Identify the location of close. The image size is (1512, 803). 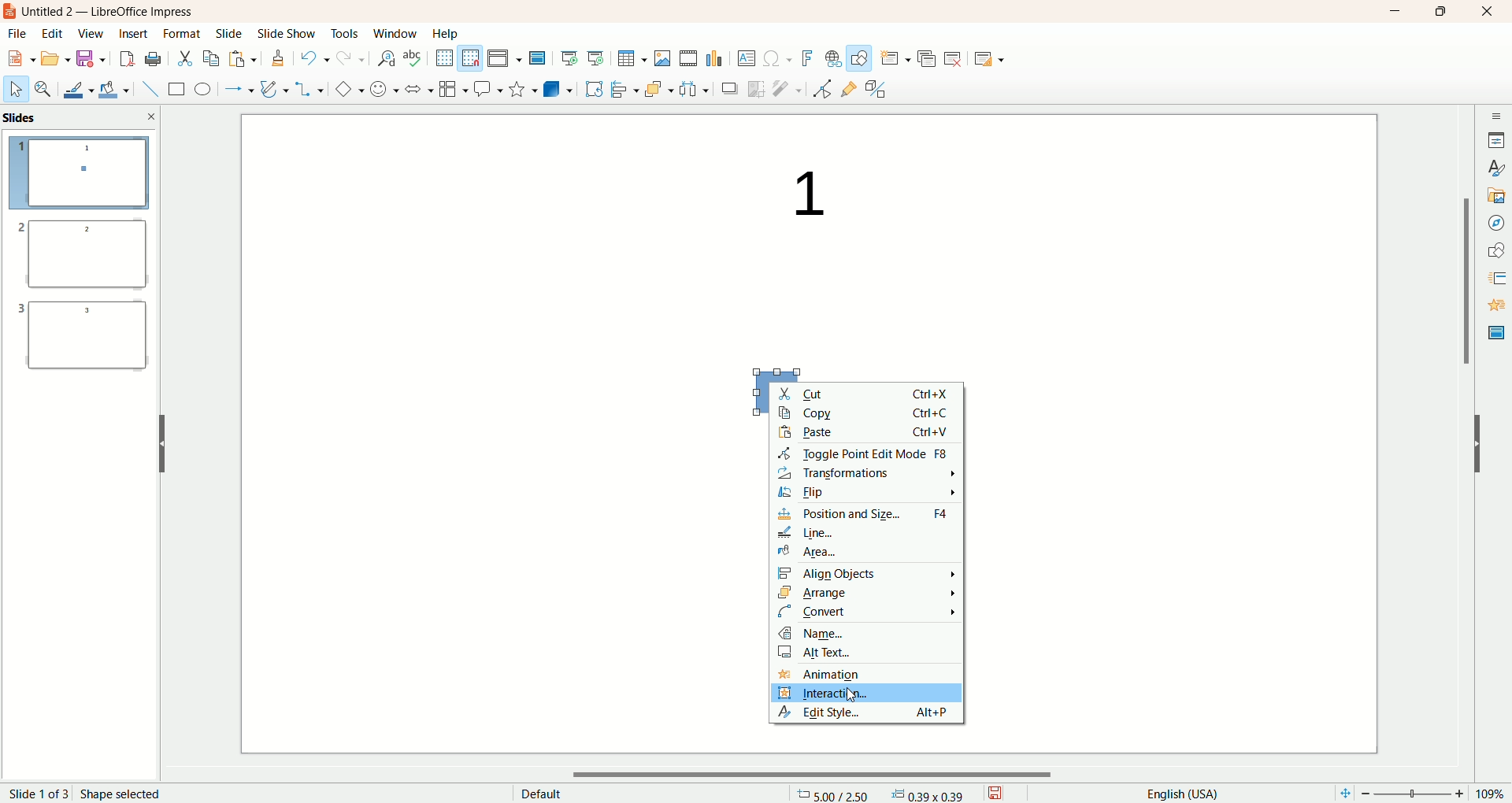
(1488, 13).